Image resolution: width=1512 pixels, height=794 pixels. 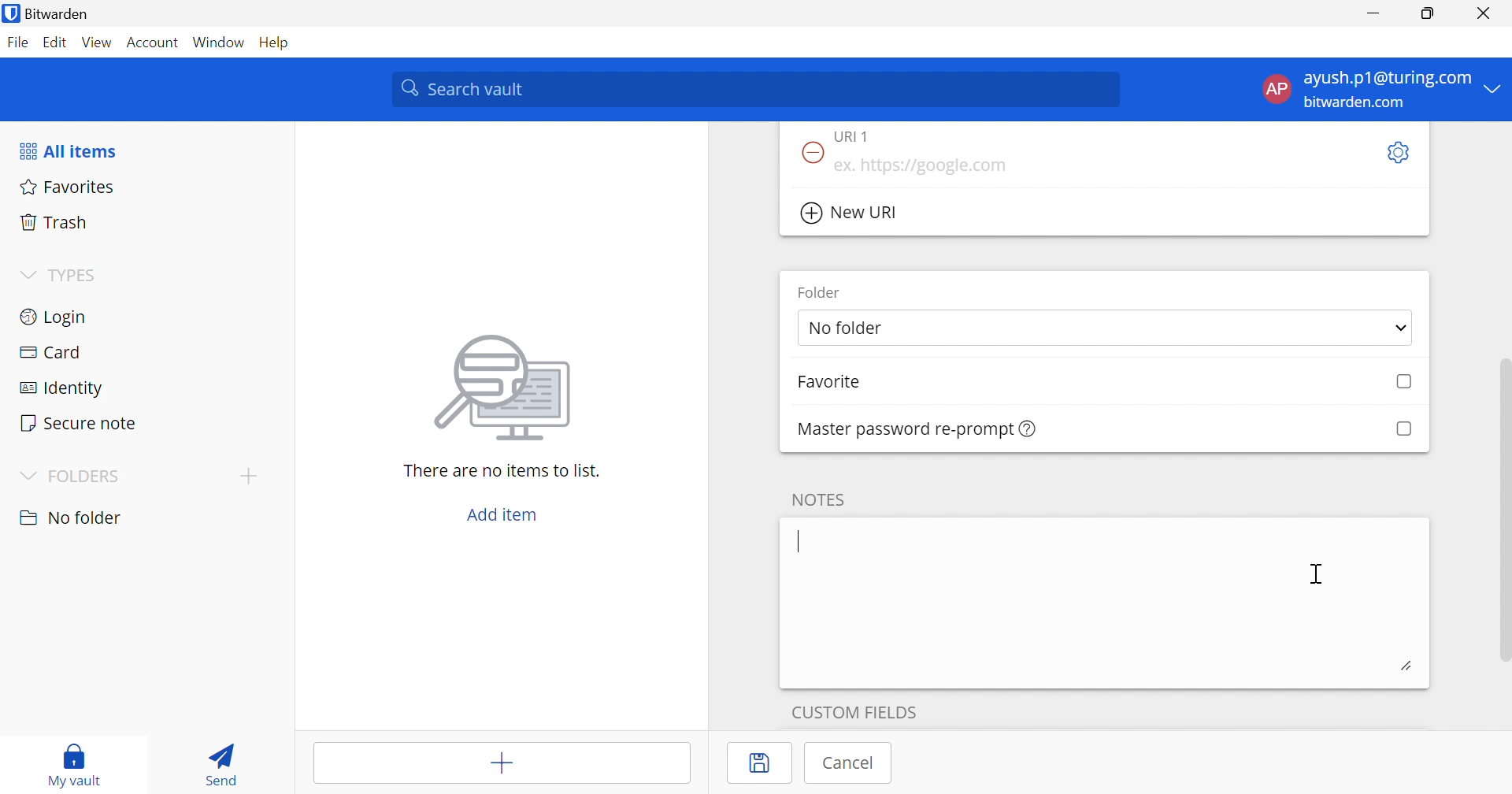 What do you see at coordinates (154, 46) in the screenshot?
I see `Account` at bounding box center [154, 46].